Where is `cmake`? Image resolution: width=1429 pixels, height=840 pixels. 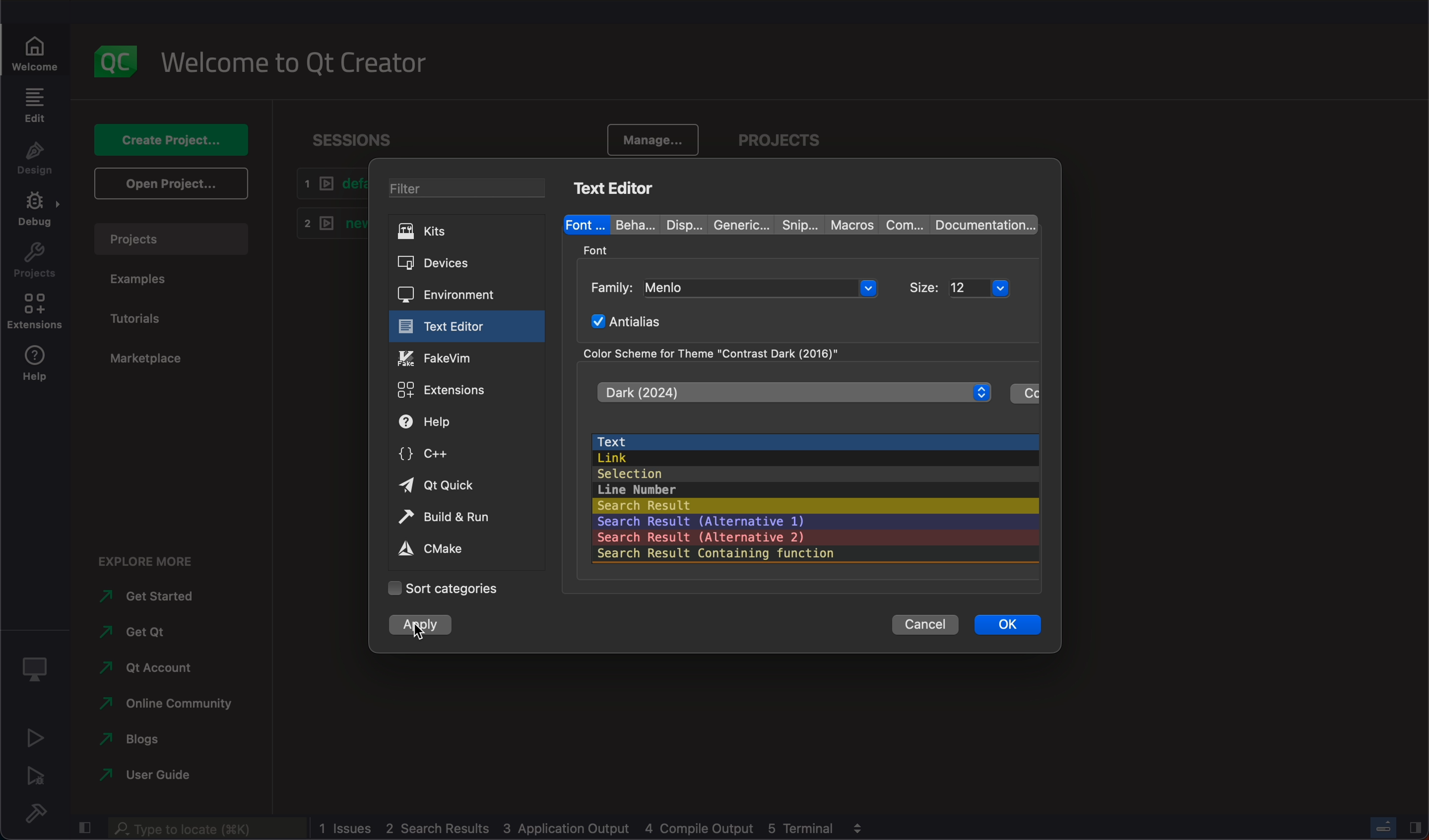 cmake is located at coordinates (458, 549).